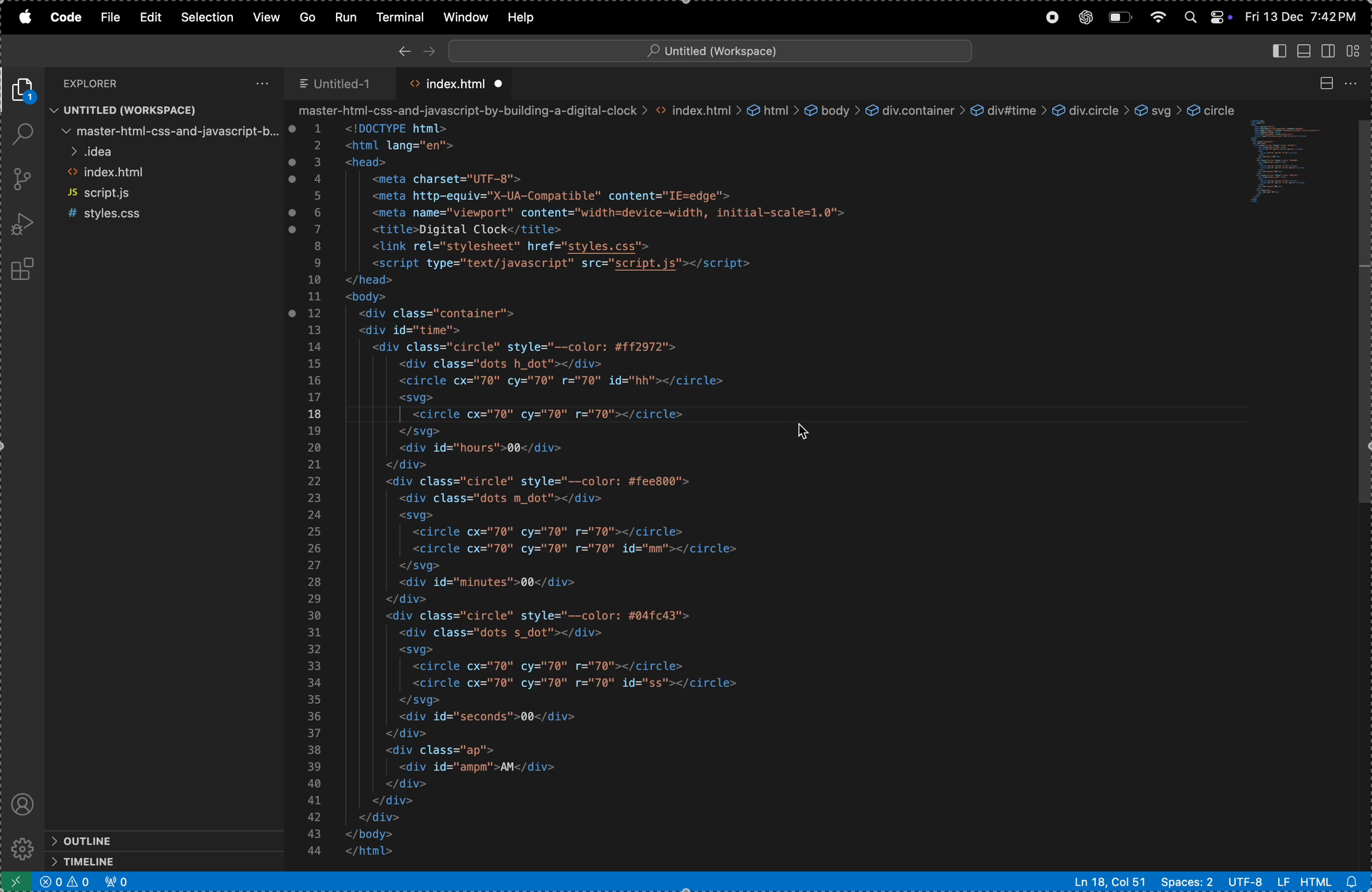 The height and width of the screenshot is (892, 1372). I want to click on Vertical scroll bar, so click(1363, 316).